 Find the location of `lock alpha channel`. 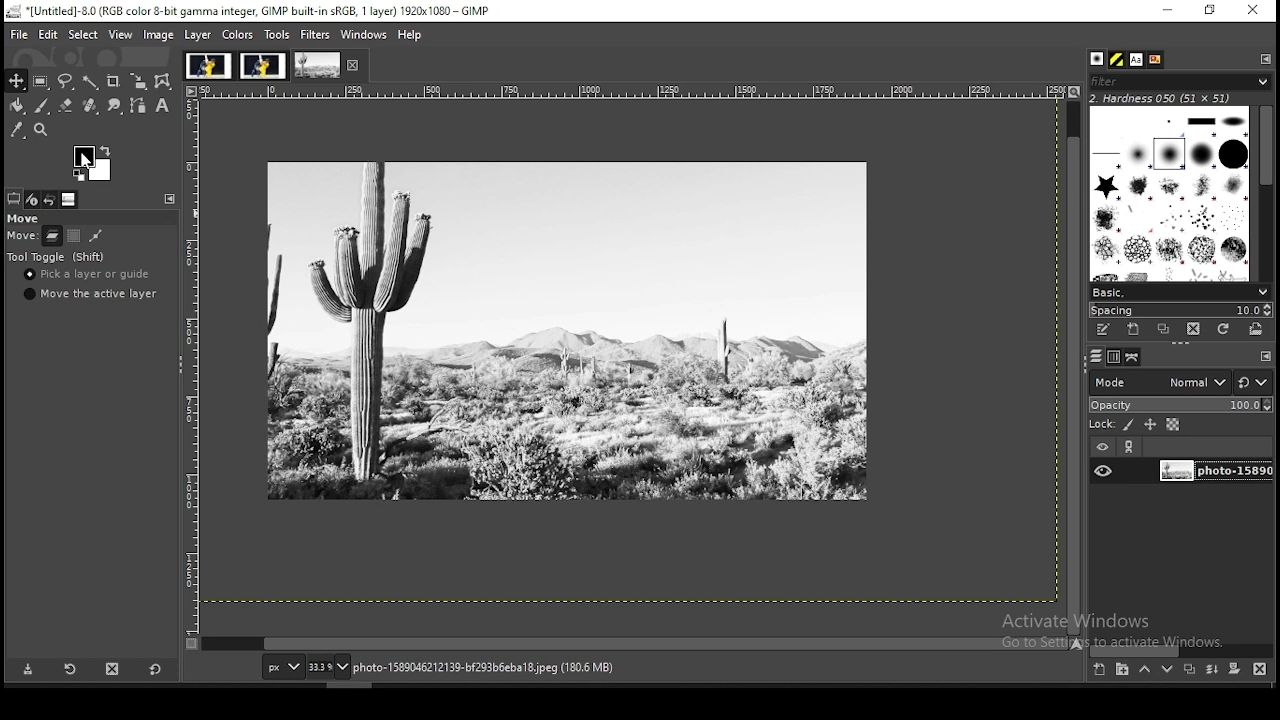

lock alpha channel is located at coordinates (1174, 424).